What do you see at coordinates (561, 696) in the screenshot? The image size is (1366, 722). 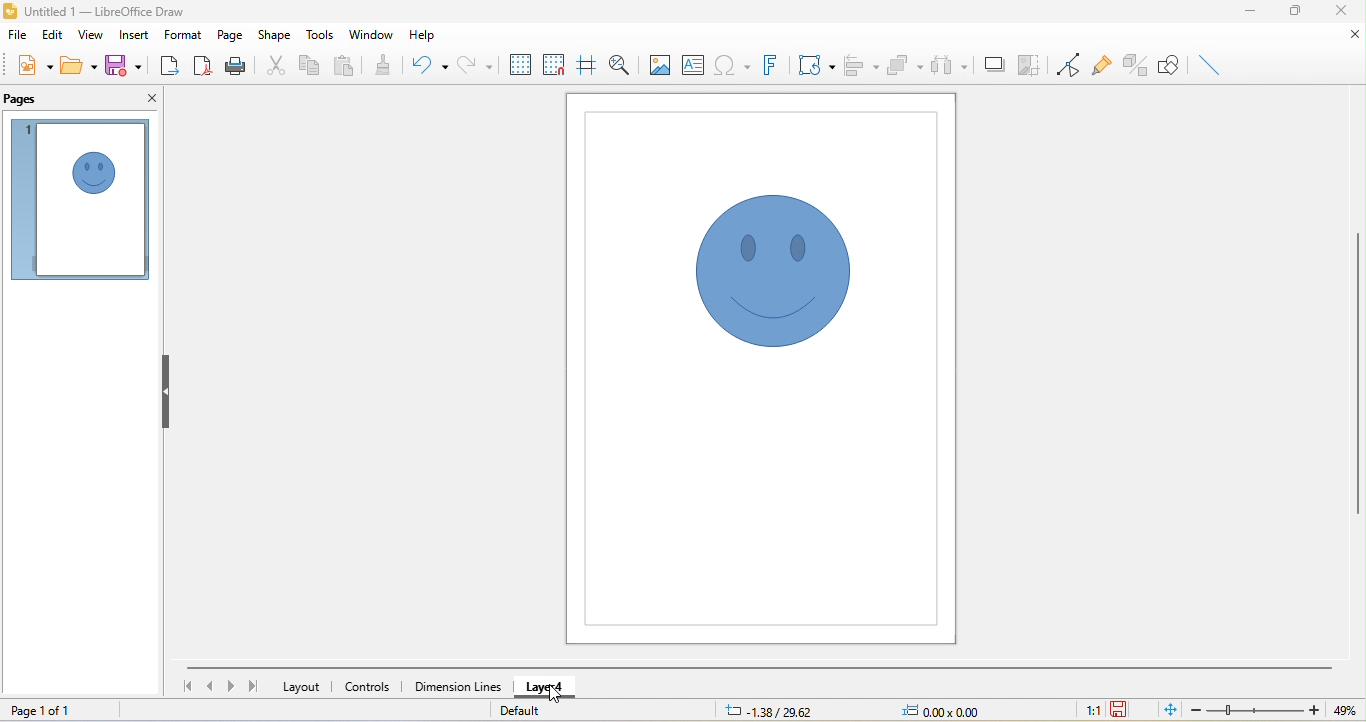 I see `cursor` at bounding box center [561, 696].